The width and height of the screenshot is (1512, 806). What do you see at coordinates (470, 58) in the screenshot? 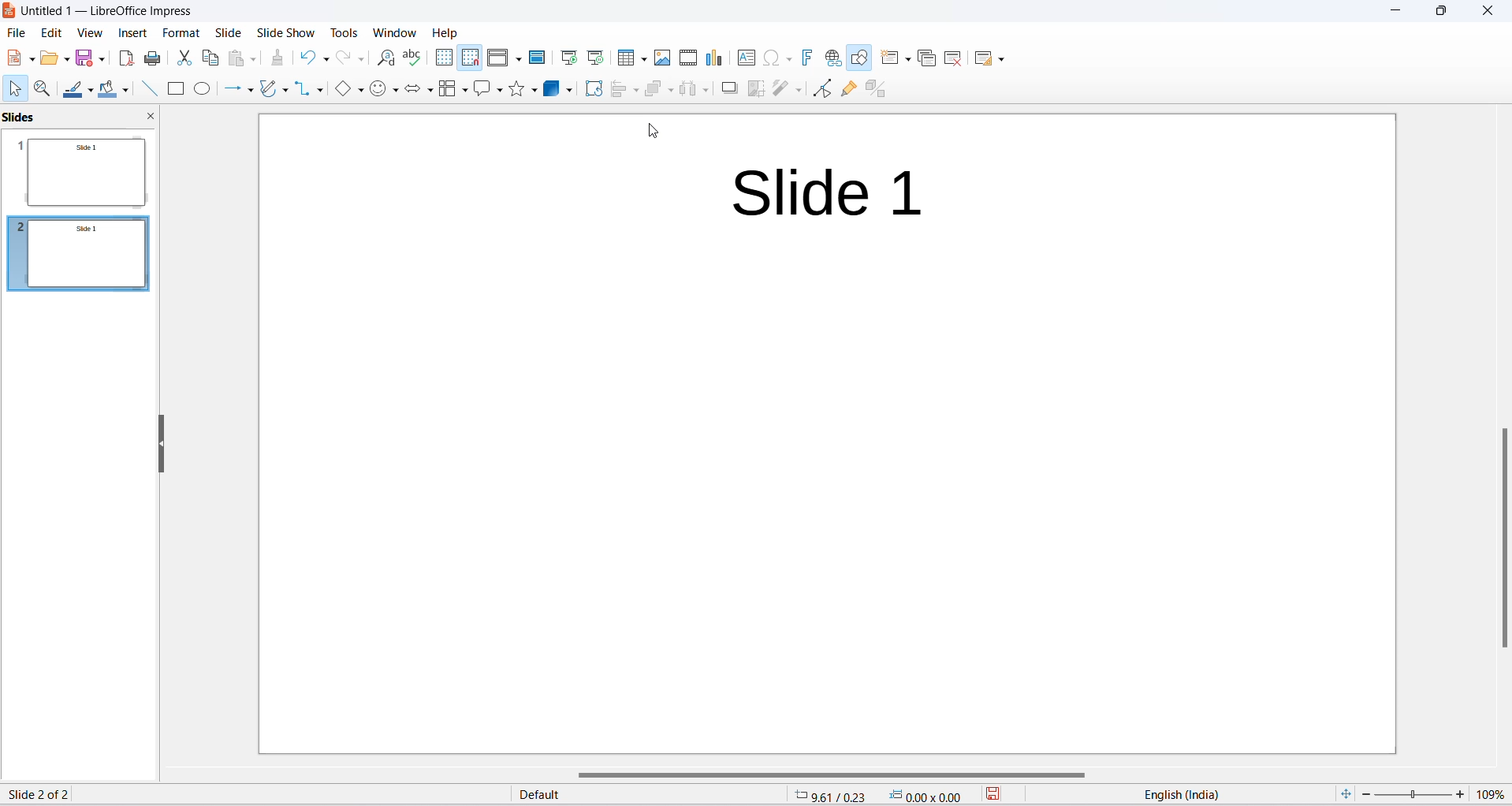
I see `snap to grid` at bounding box center [470, 58].